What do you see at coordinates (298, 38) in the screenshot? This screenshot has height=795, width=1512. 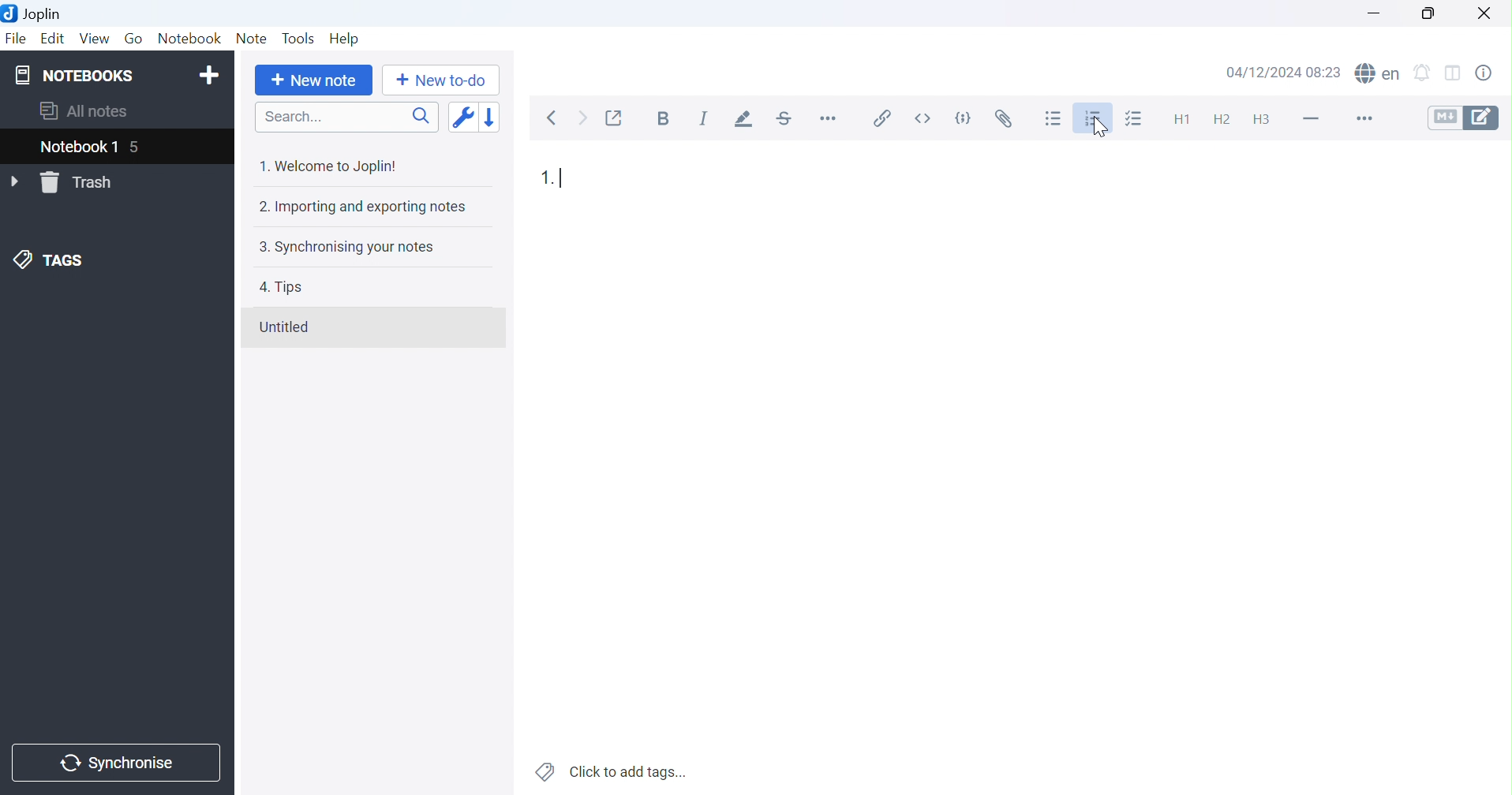 I see `Tools` at bounding box center [298, 38].